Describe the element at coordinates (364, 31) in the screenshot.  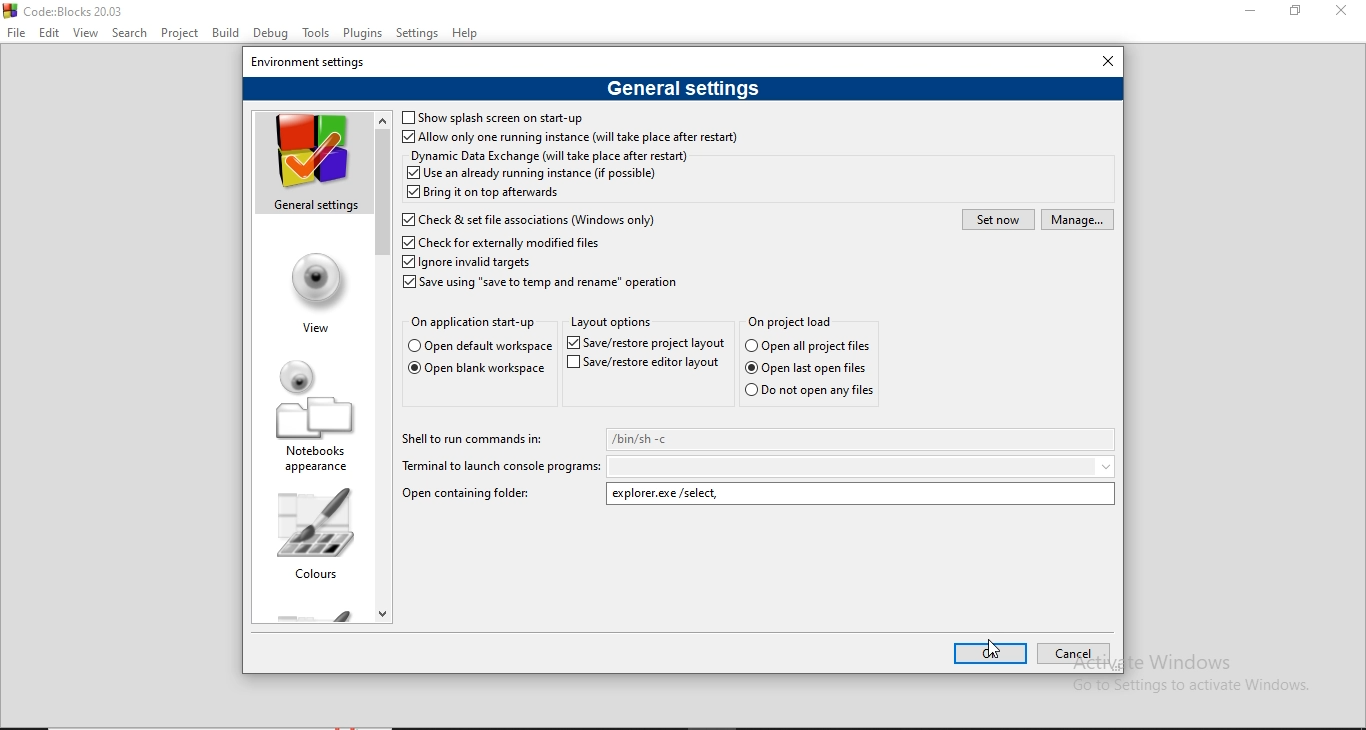
I see `Plugins ` at that location.